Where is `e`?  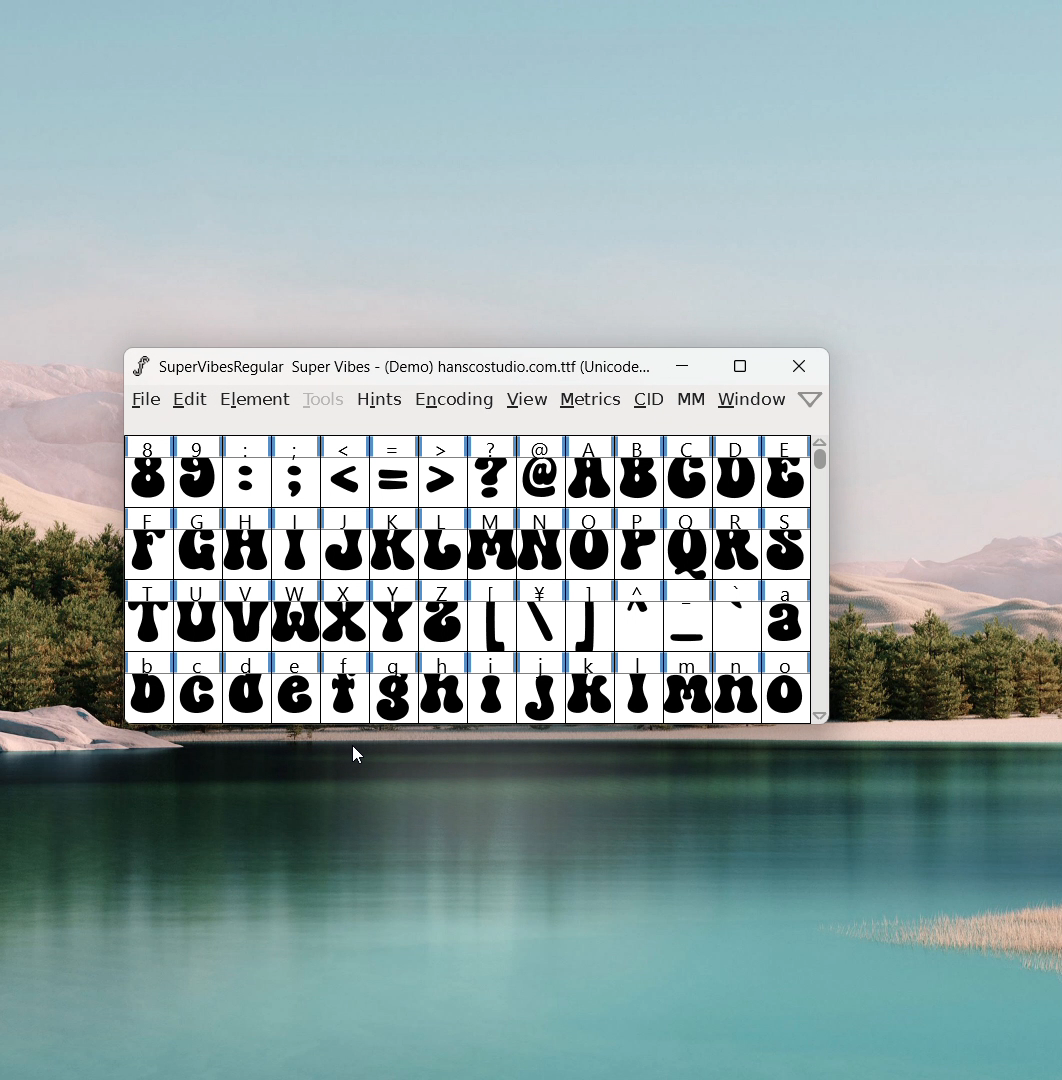 e is located at coordinates (296, 688).